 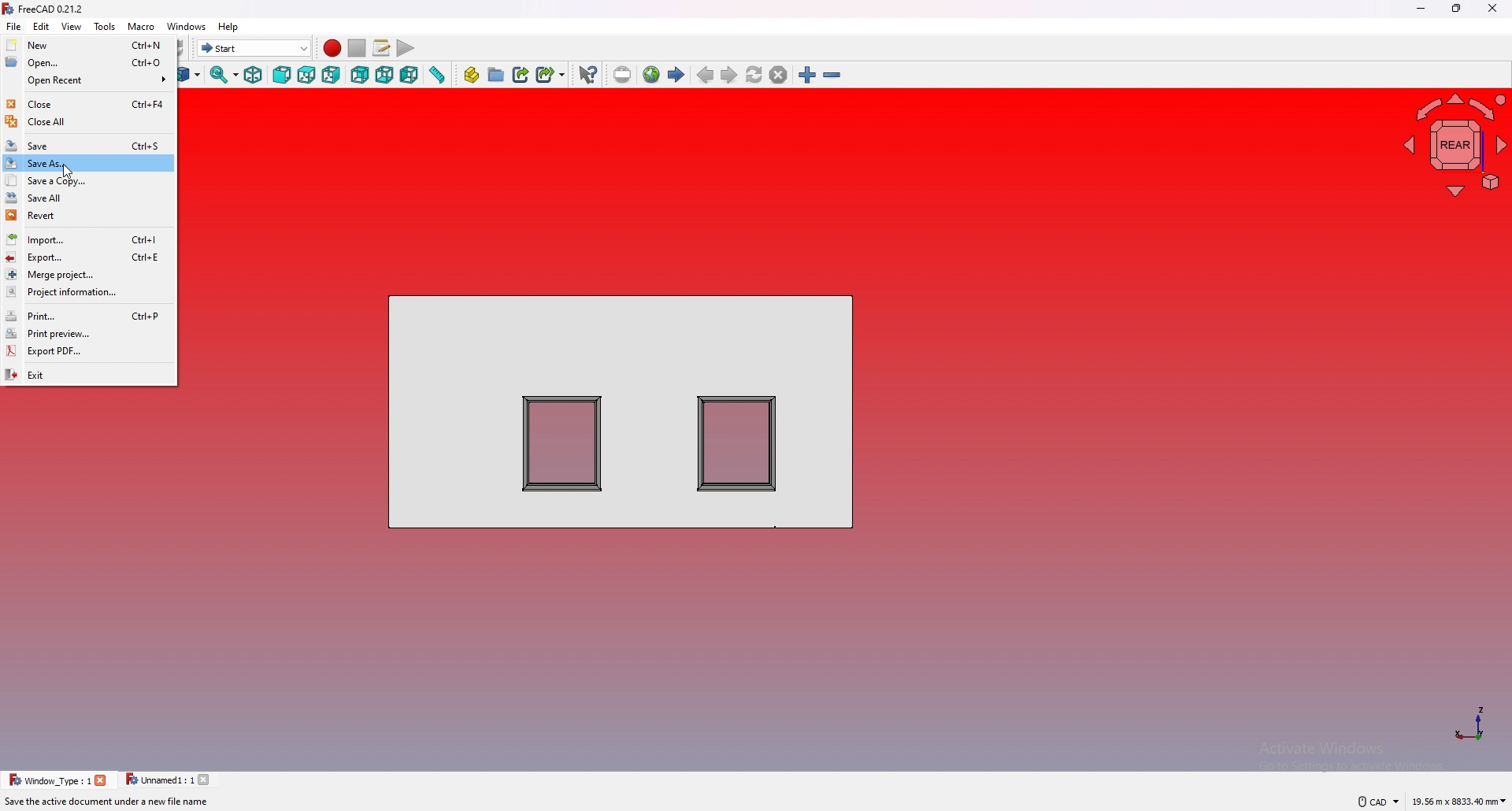 What do you see at coordinates (89, 163) in the screenshot?
I see `save as` at bounding box center [89, 163].